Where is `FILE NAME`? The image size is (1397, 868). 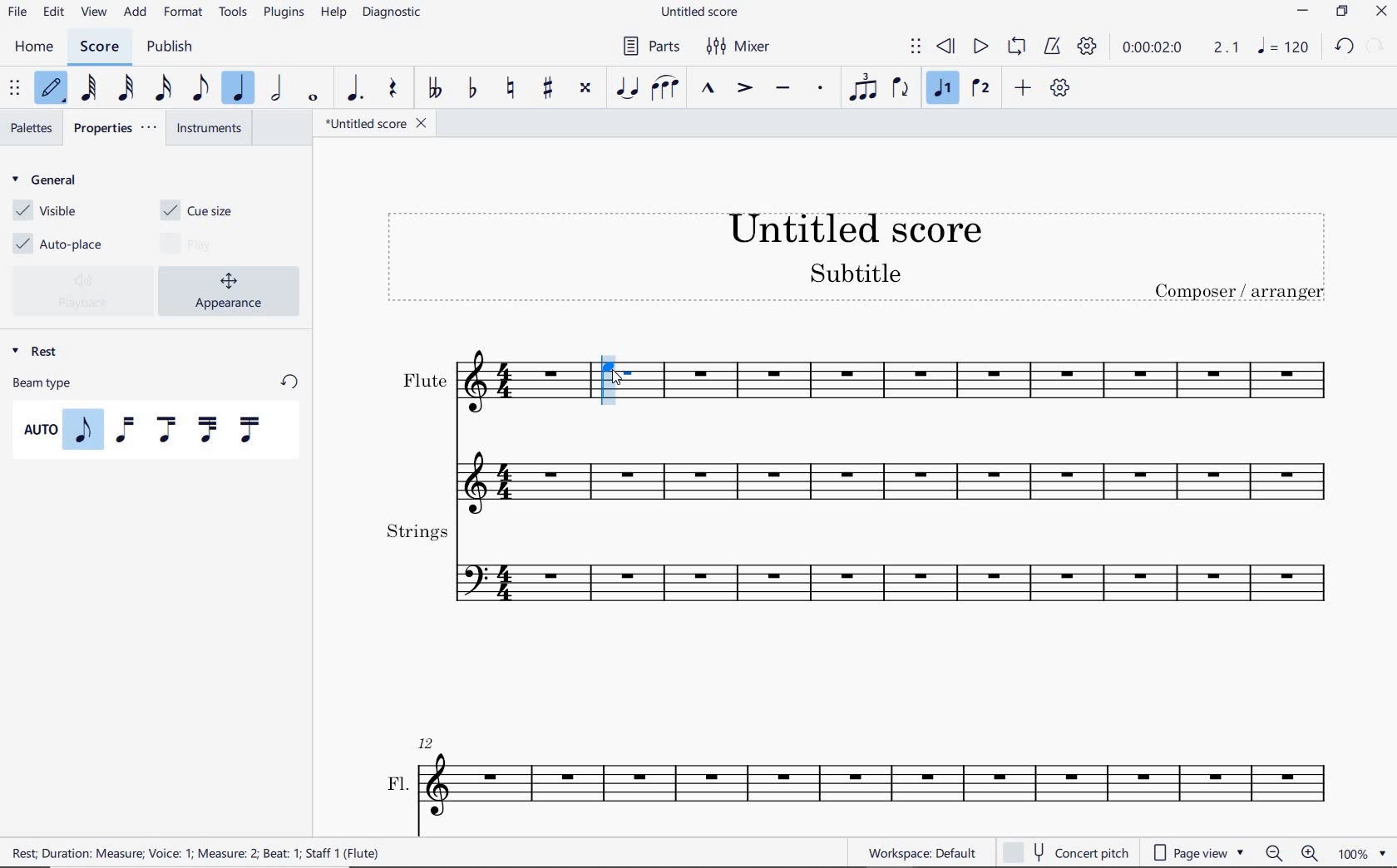 FILE NAME is located at coordinates (704, 12).